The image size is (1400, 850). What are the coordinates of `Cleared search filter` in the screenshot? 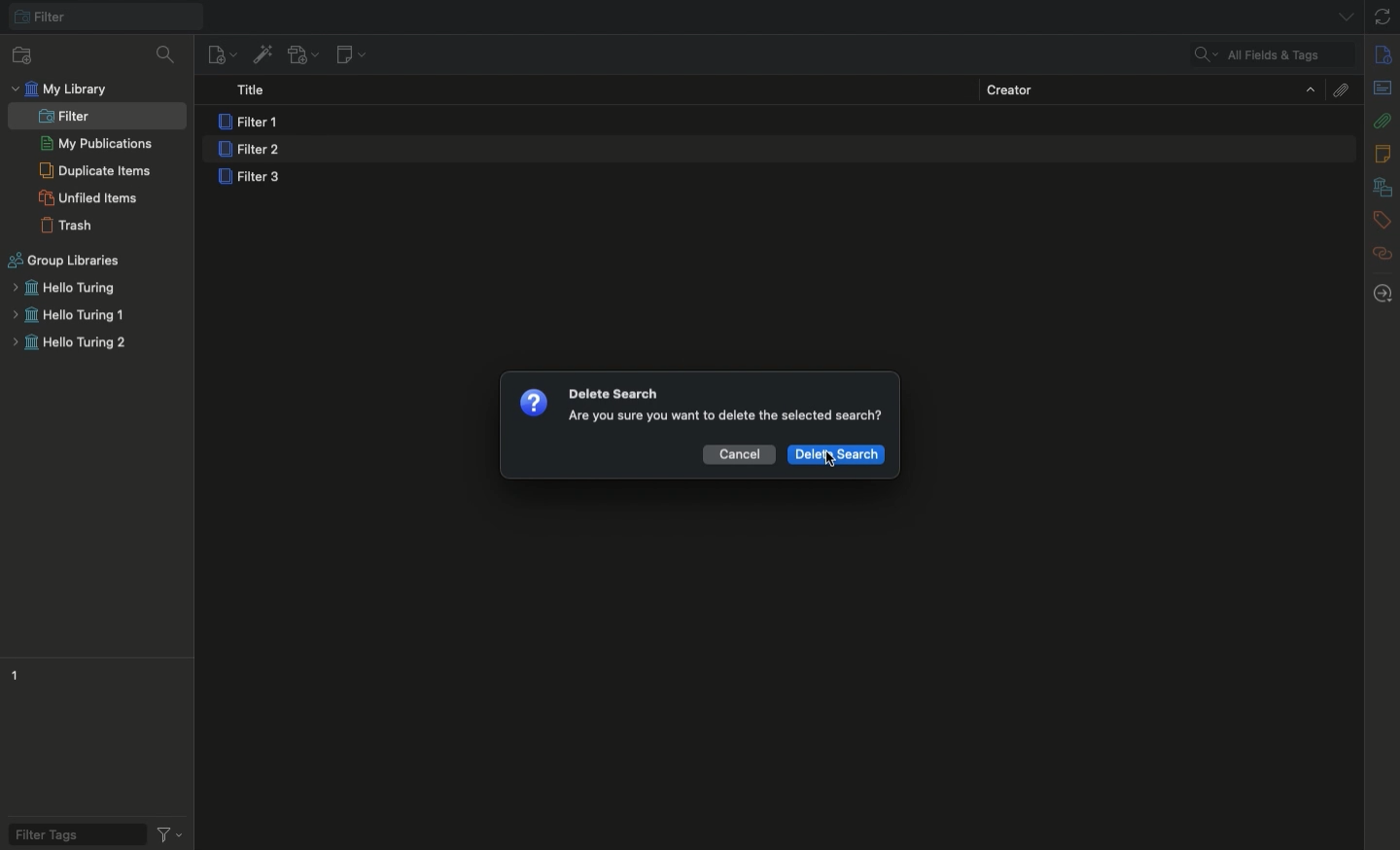 It's located at (1271, 55).